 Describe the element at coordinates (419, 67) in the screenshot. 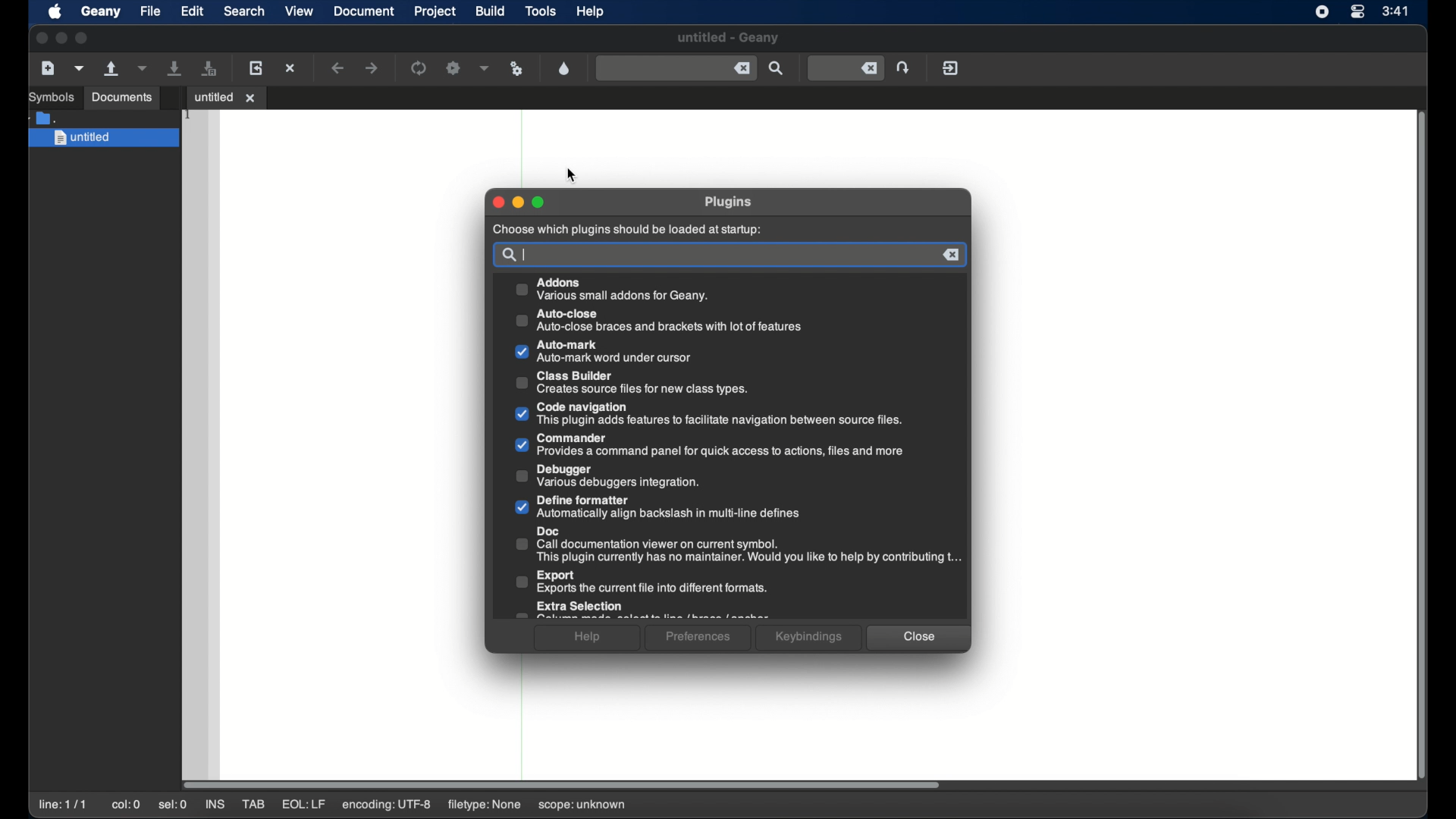

I see `compile the current file` at that location.